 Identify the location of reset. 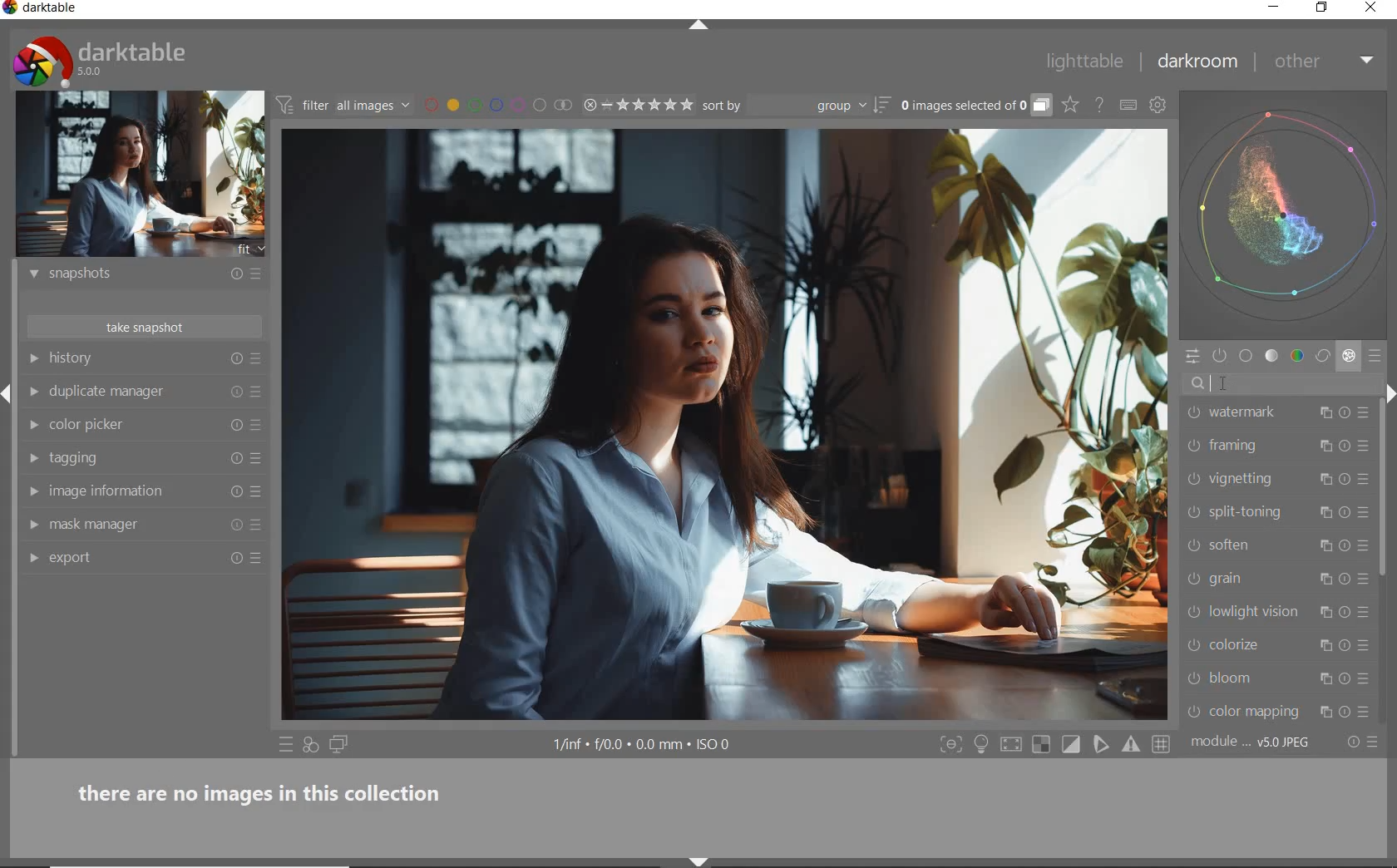
(1346, 481).